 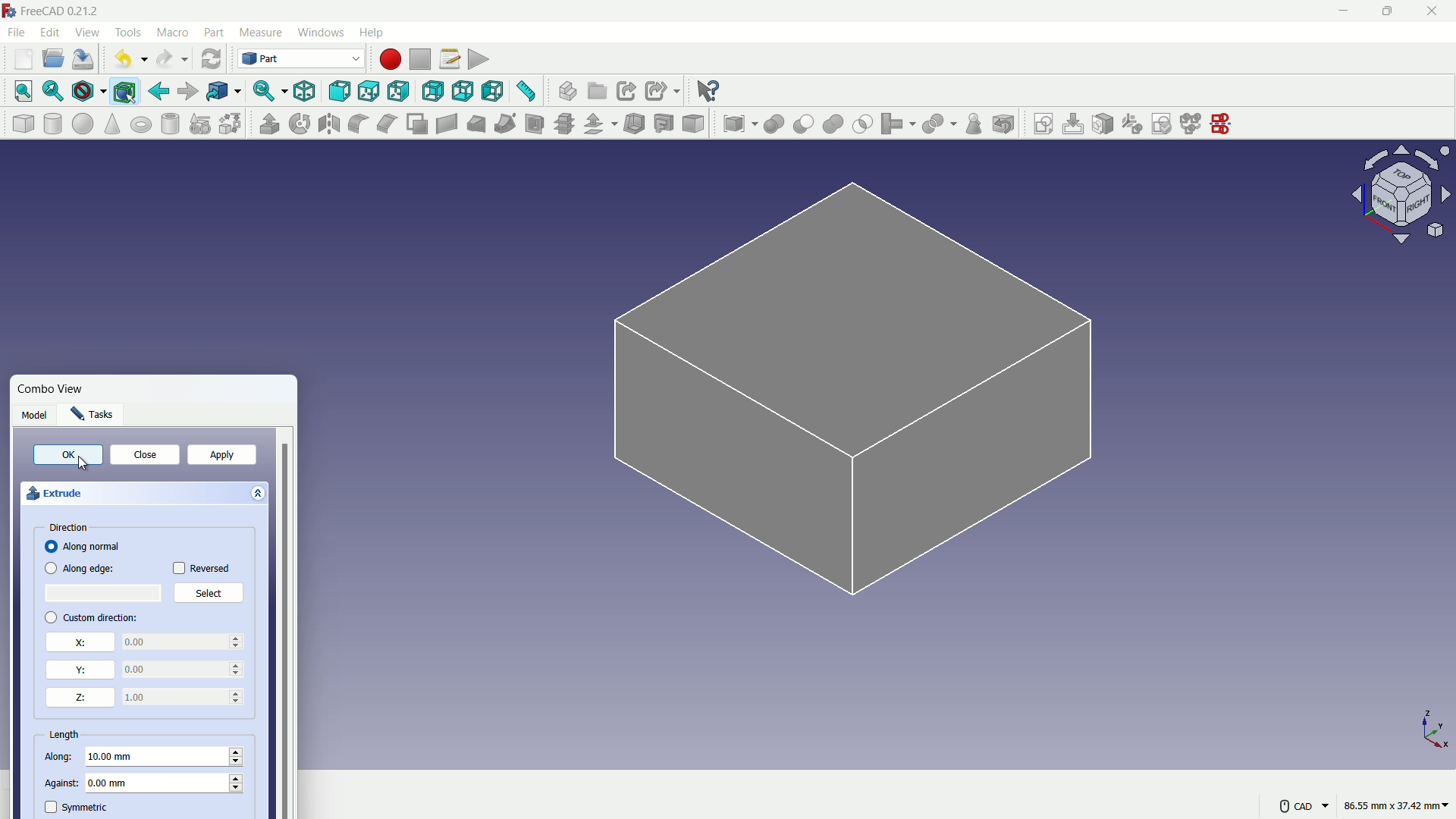 I want to click on go back, so click(x=159, y=92).